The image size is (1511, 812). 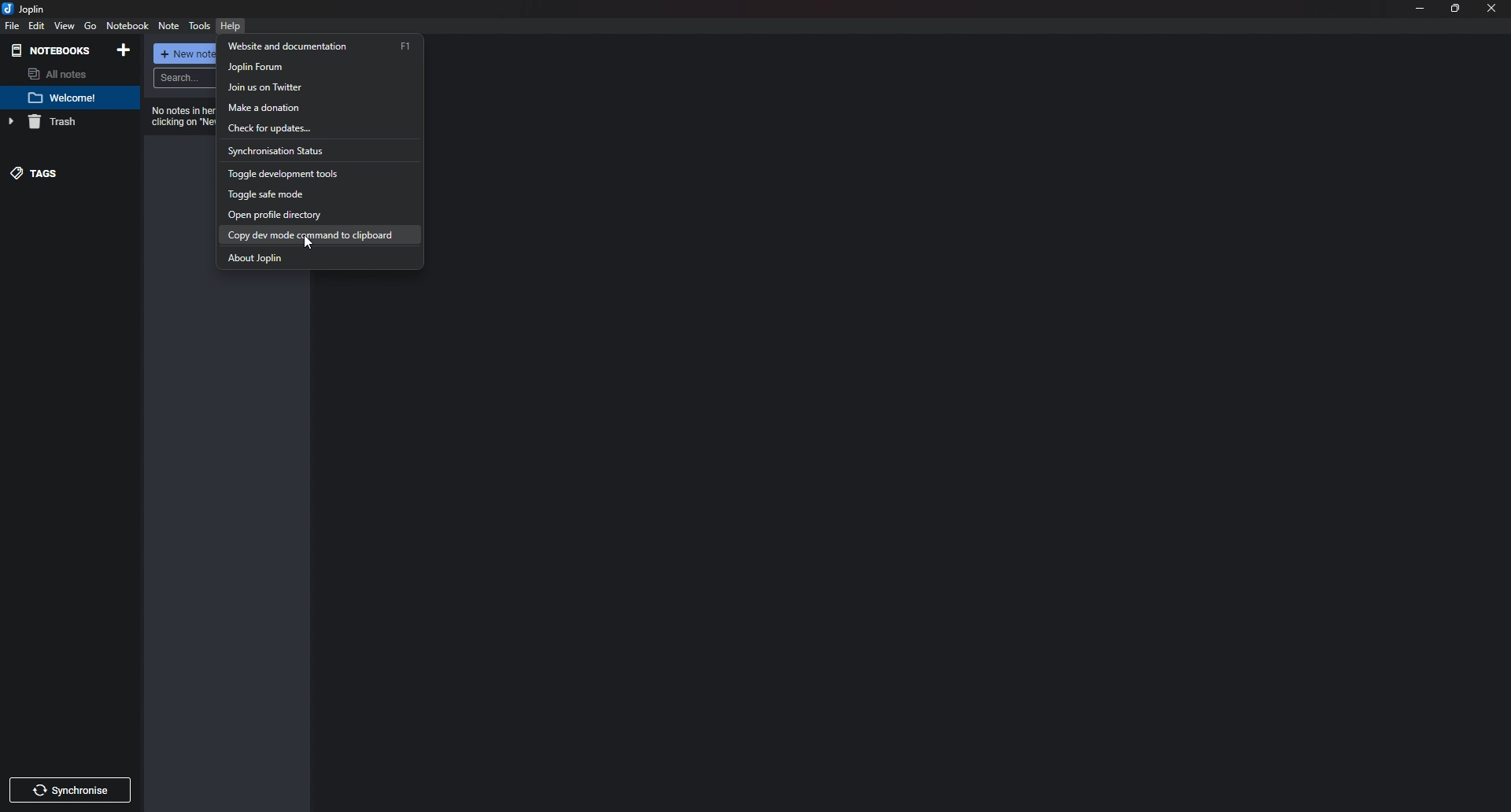 What do you see at coordinates (1420, 9) in the screenshot?
I see `minimize` at bounding box center [1420, 9].